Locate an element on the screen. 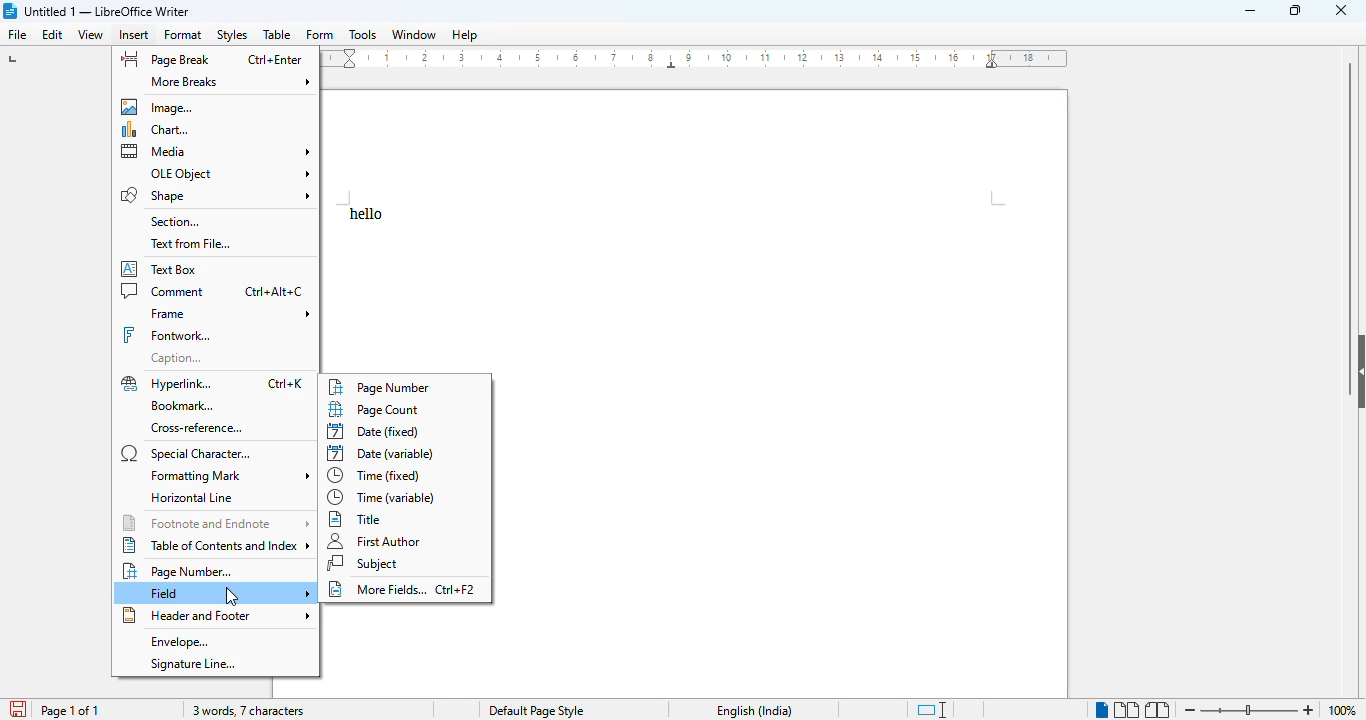 This screenshot has height=720, width=1366. help is located at coordinates (466, 35).